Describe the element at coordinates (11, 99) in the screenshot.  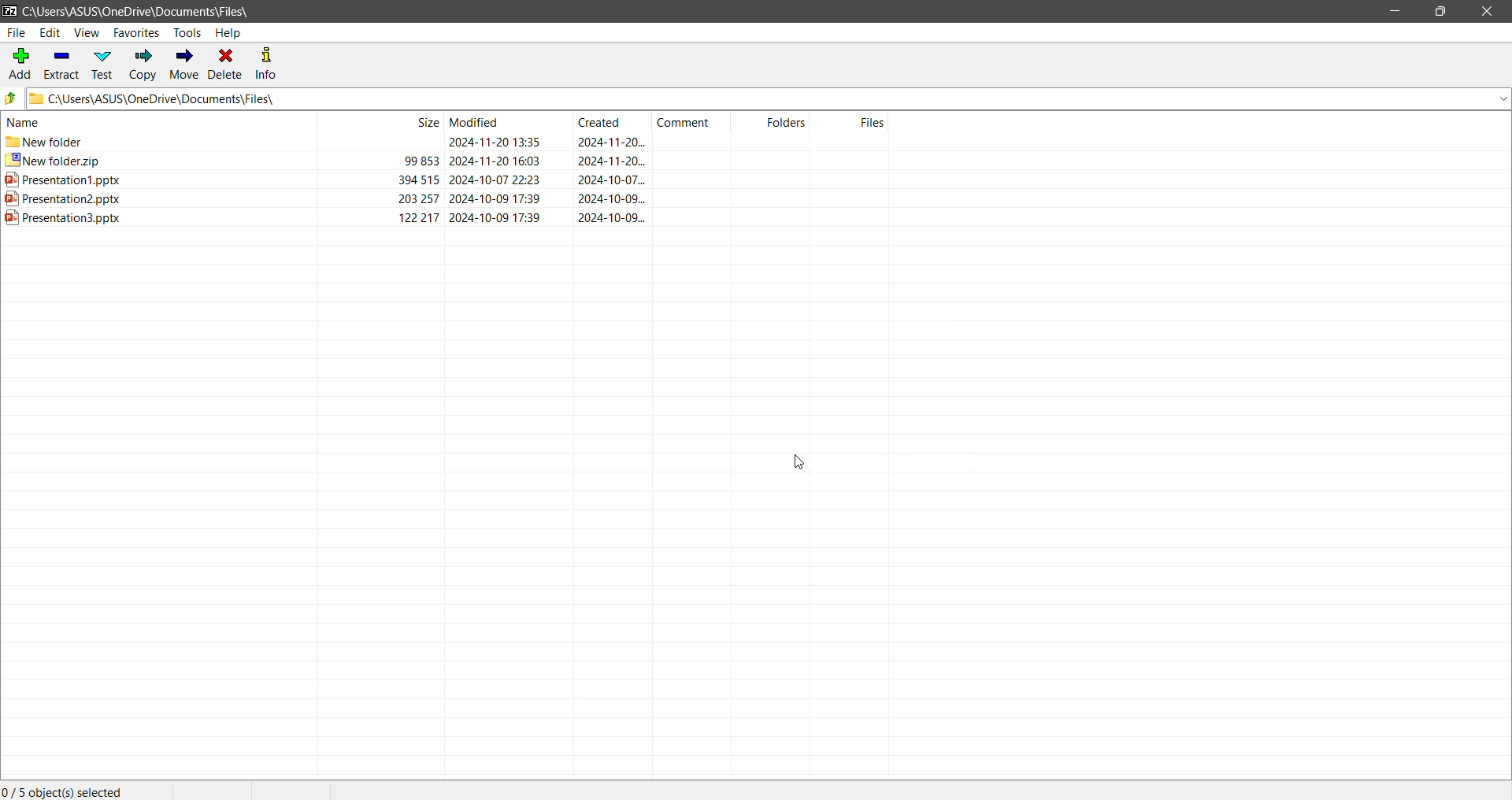
I see `Move Up one level` at that location.